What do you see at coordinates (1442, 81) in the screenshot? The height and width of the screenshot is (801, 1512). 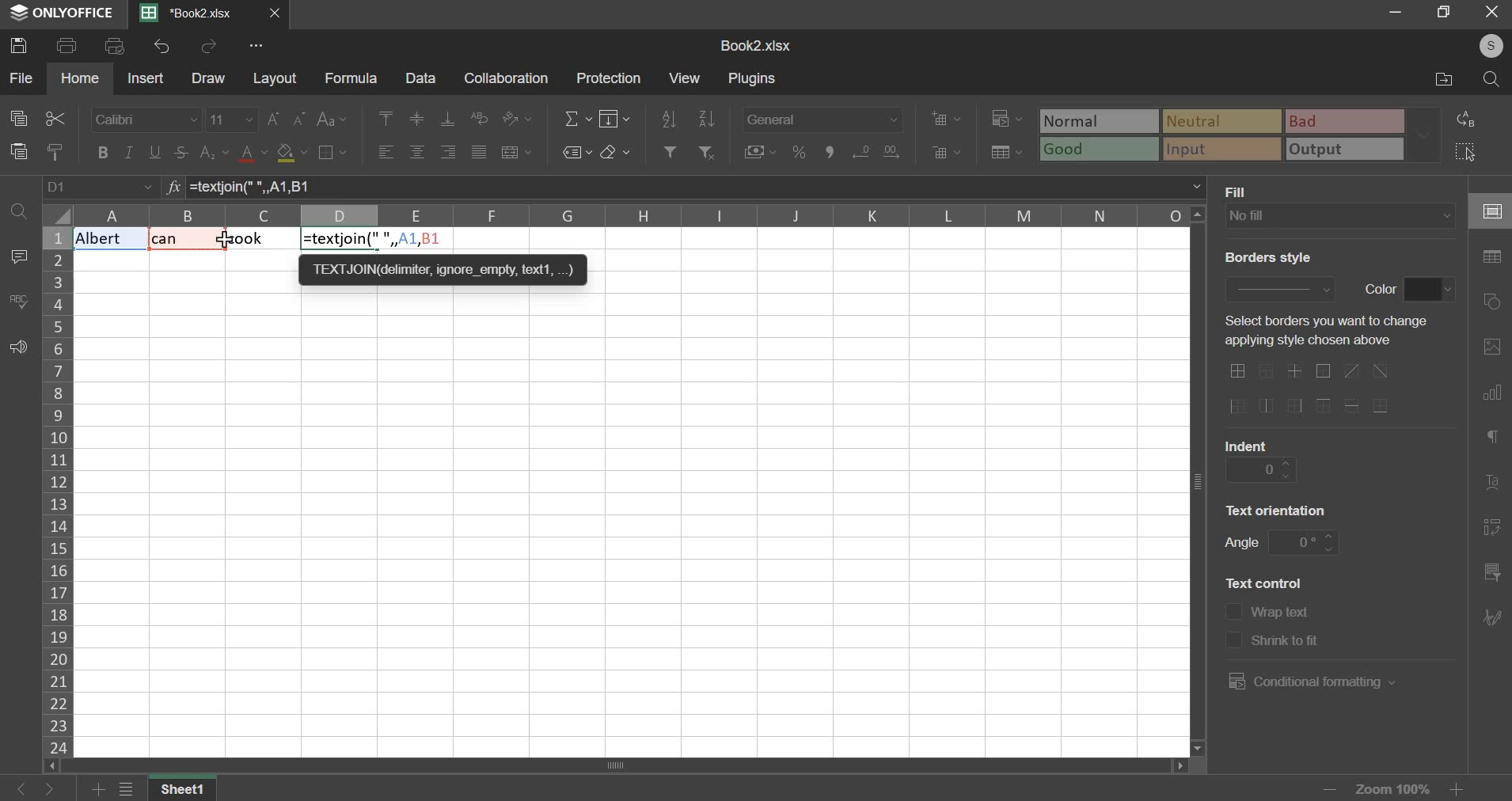 I see `file location` at bounding box center [1442, 81].